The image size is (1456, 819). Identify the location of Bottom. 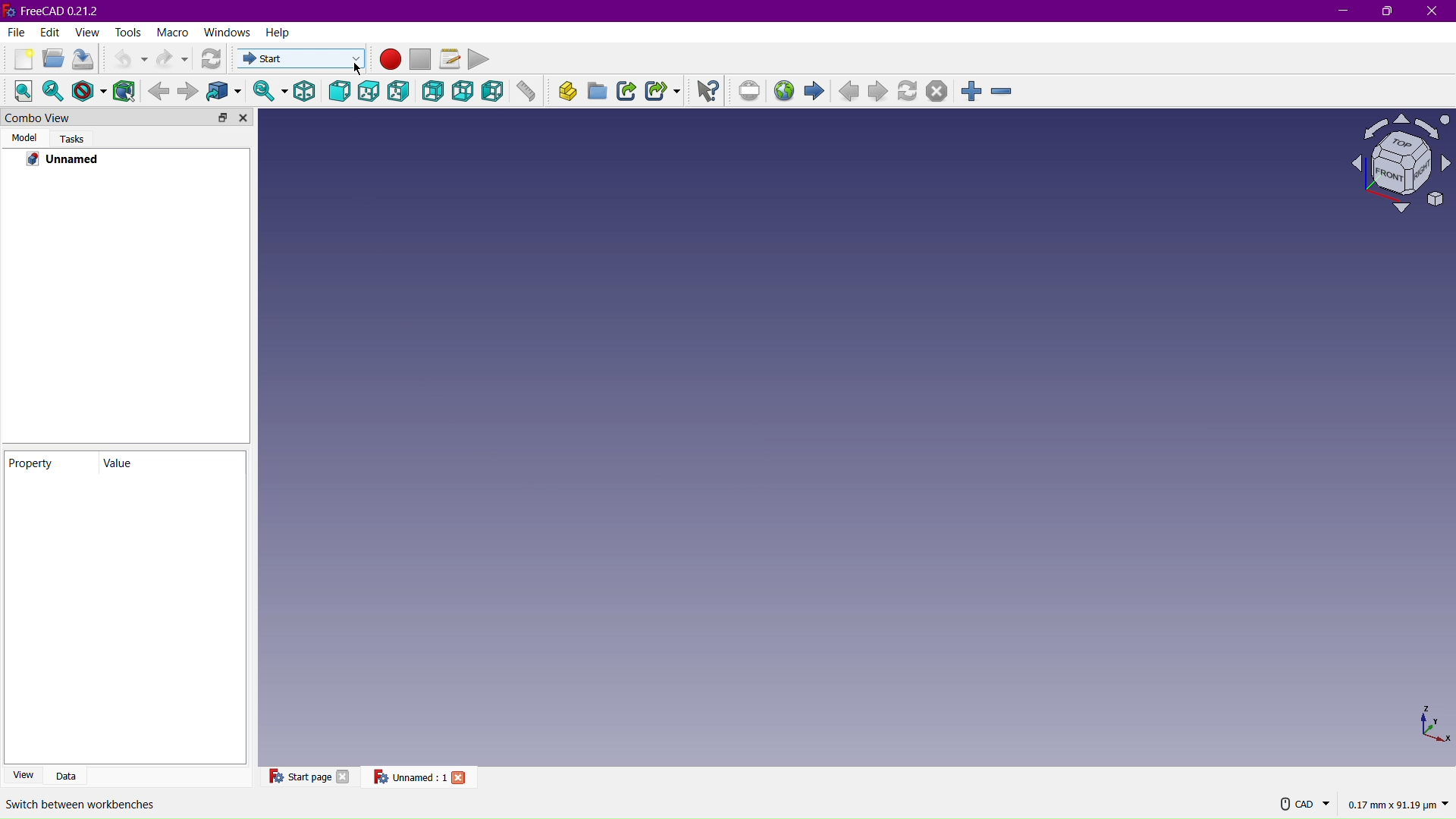
(465, 92).